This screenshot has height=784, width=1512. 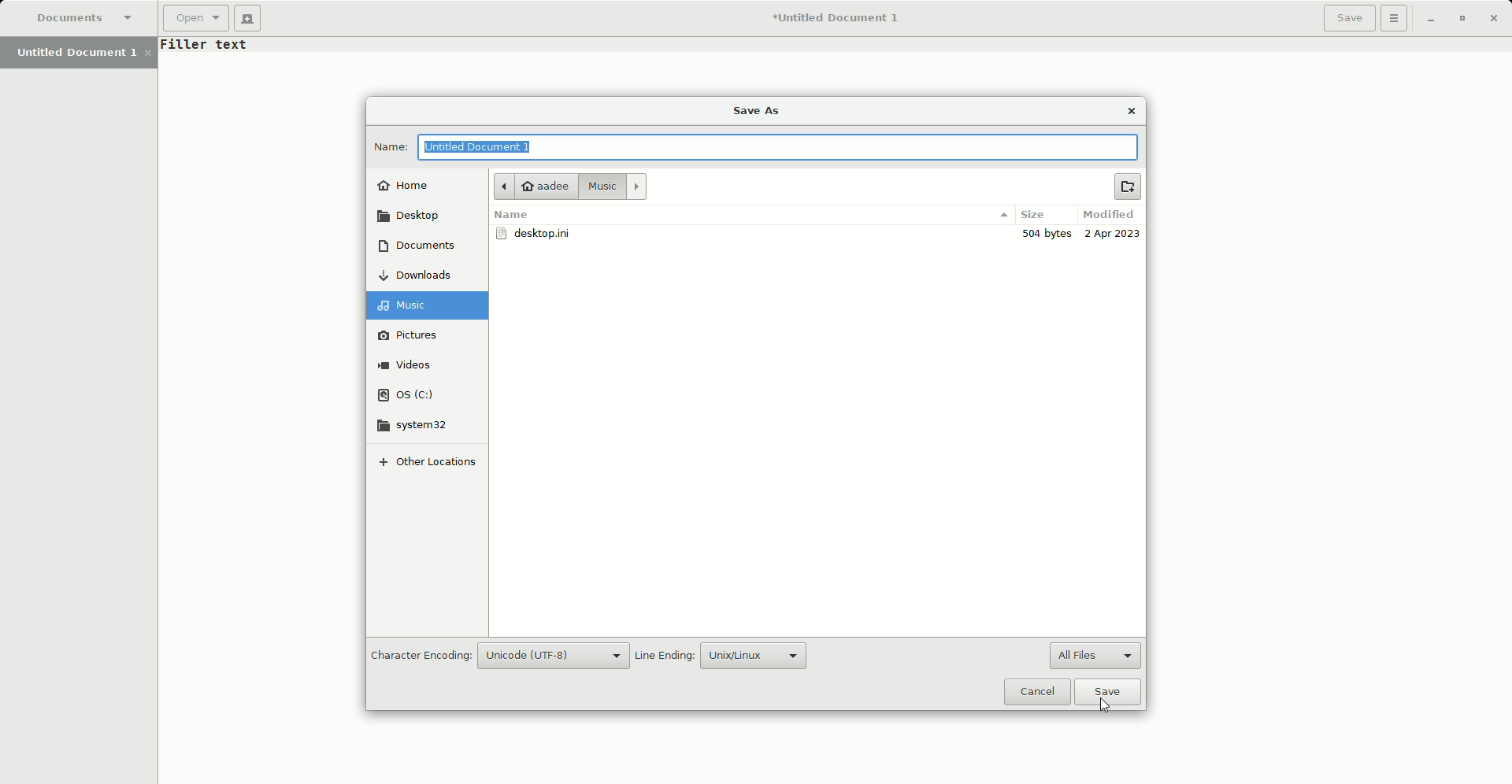 What do you see at coordinates (1350, 19) in the screenshot?
I see `Save` at bounding box center [1350, 19].